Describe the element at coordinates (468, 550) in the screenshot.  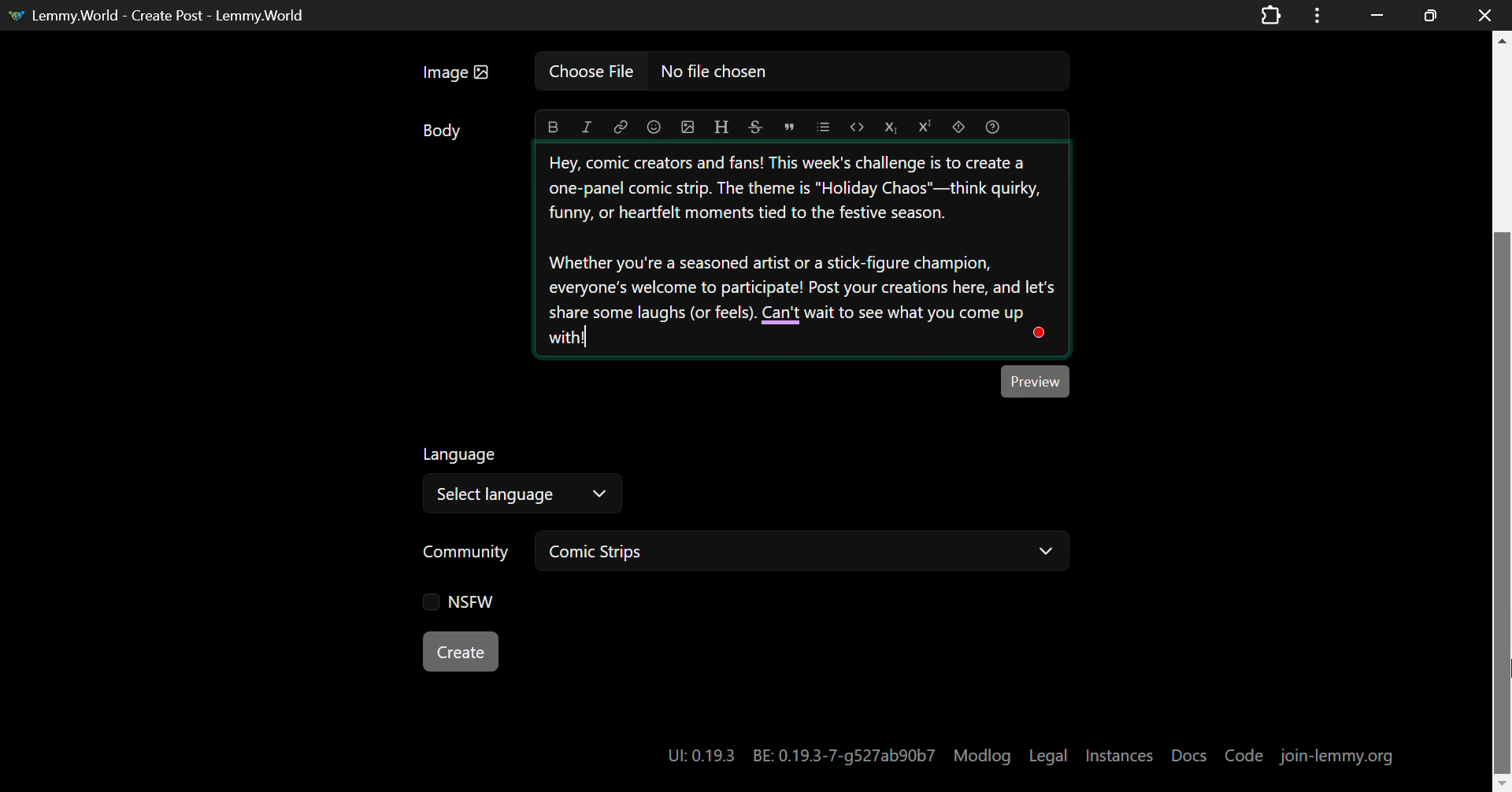
I see `Community` at that location.